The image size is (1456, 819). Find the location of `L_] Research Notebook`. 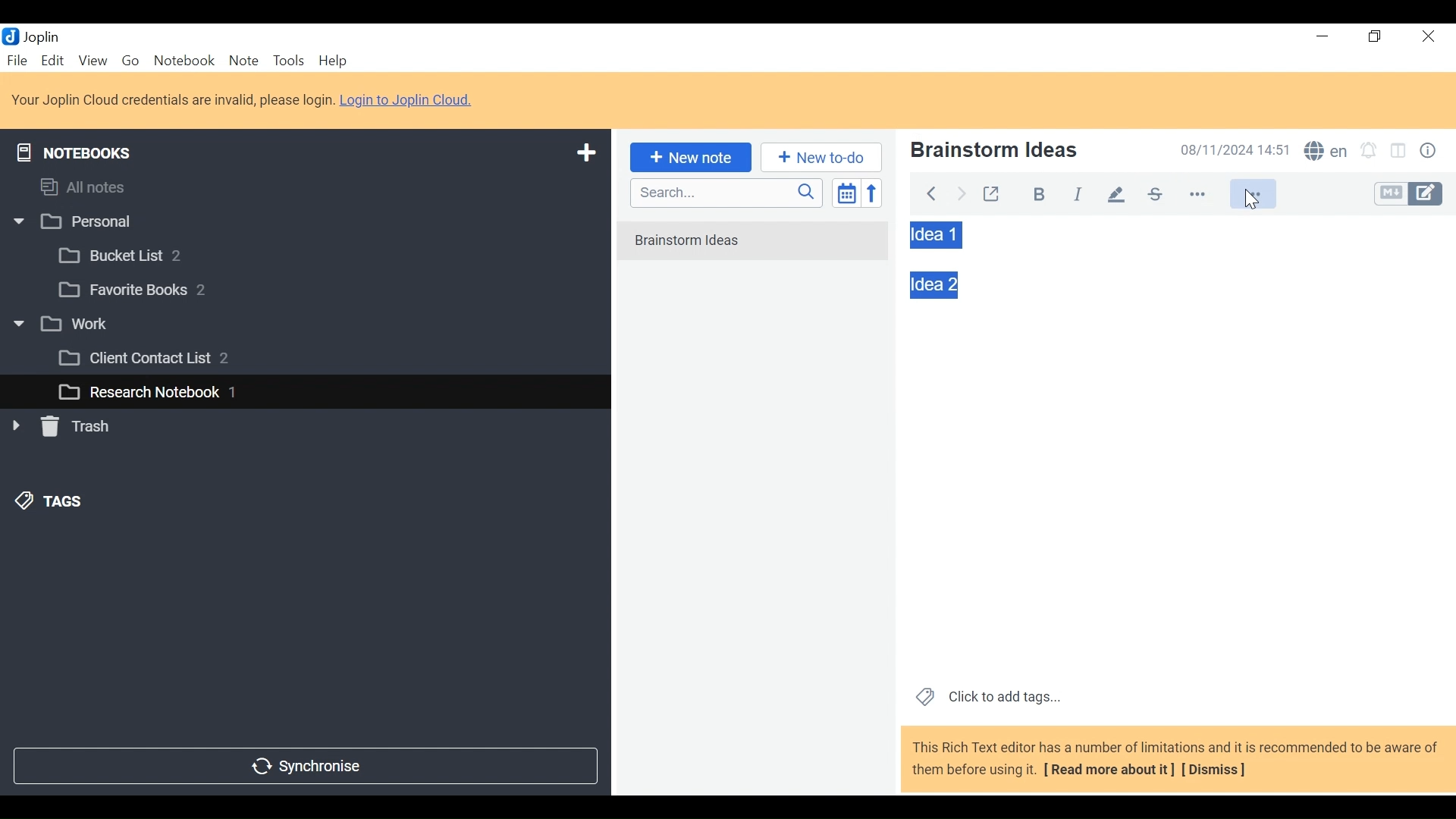

L_] Research Notebook is located at coordinates (138, 393).